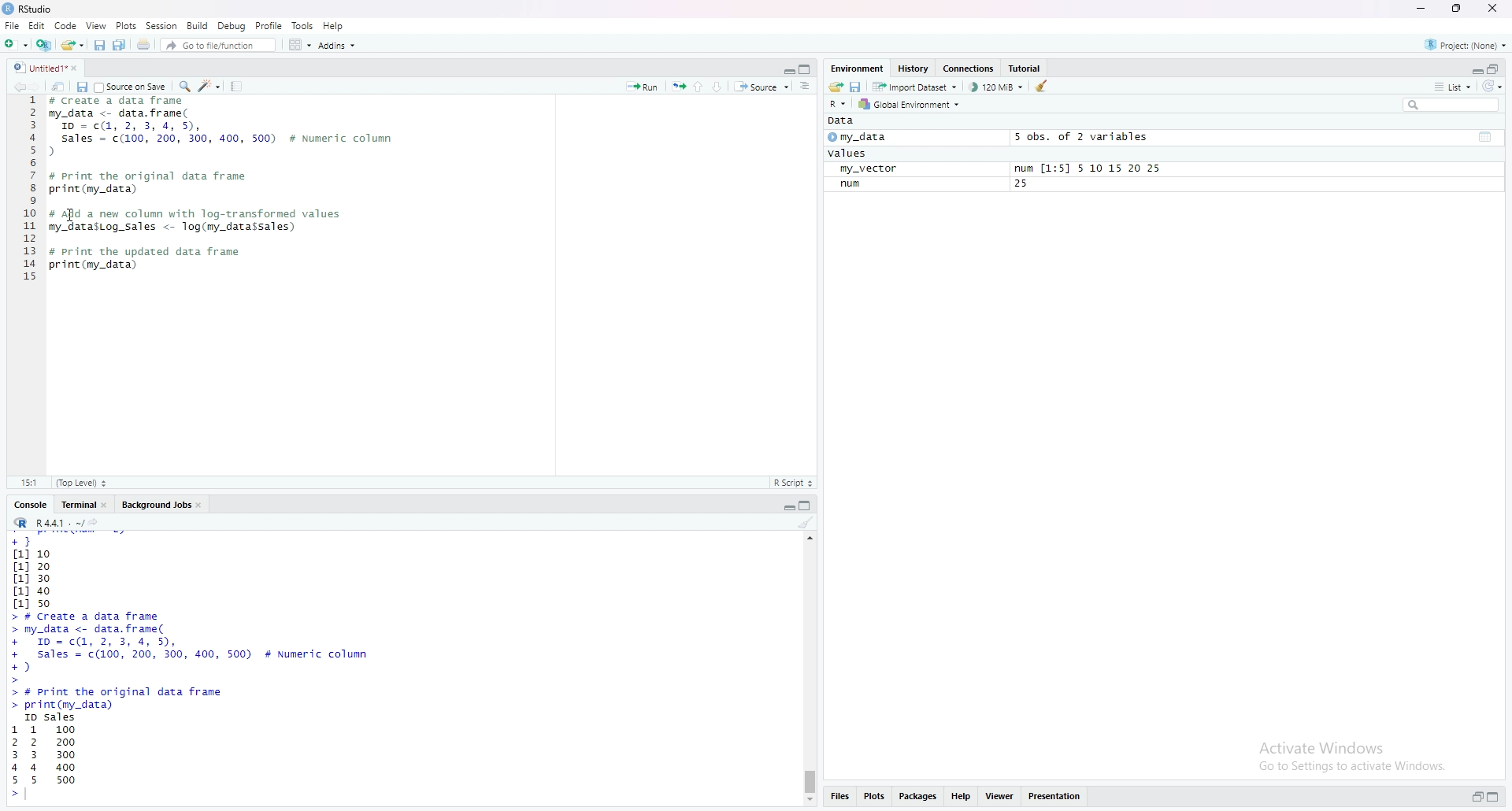 This screenshot has height=811, width=1512. What do you see at coordinates (302, 24) in the screenshot?
I see `Tools` at bounding box center [302, 24].